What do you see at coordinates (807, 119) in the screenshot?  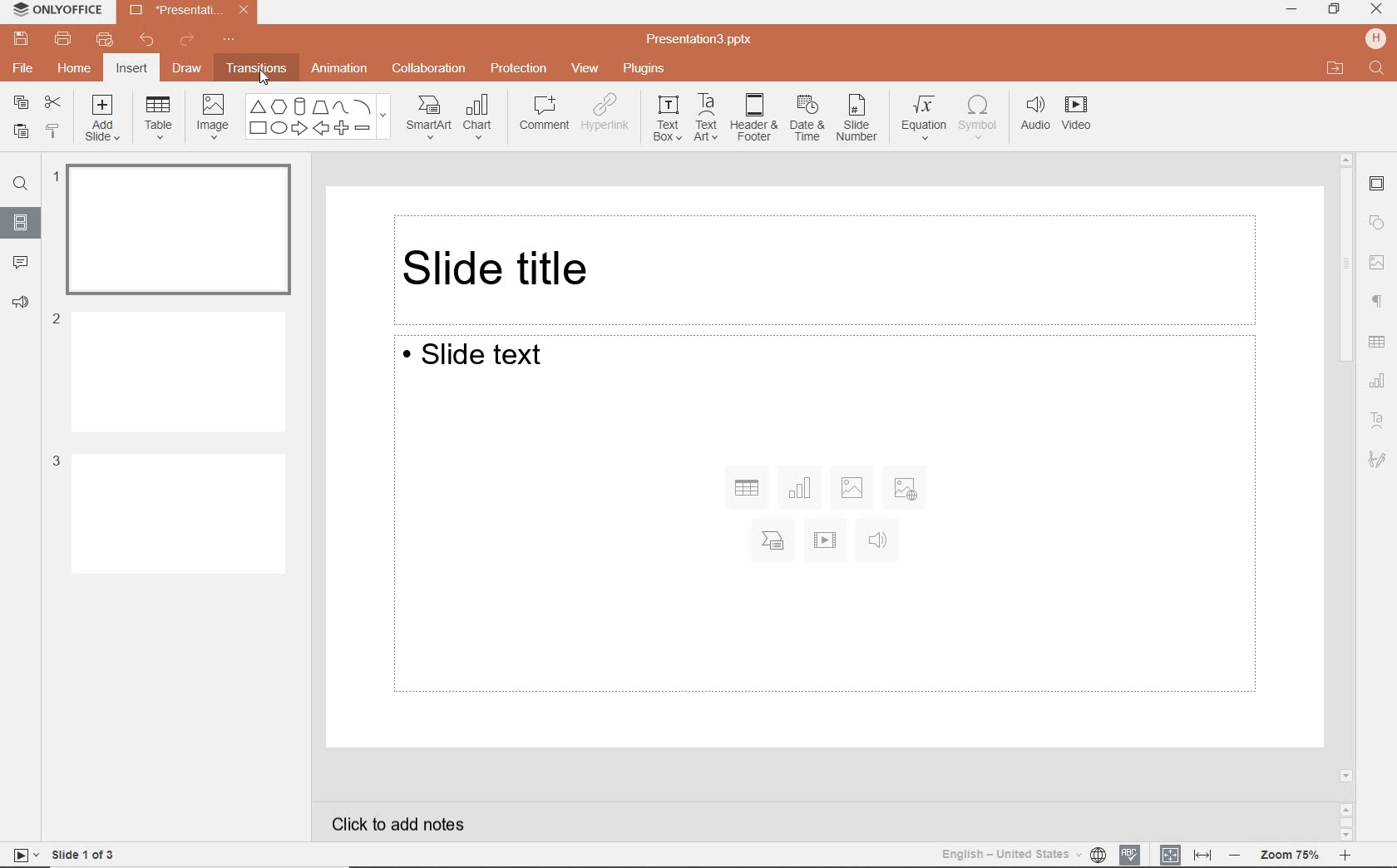 I see `DATE & TIME` at bounding box center [807, 119].